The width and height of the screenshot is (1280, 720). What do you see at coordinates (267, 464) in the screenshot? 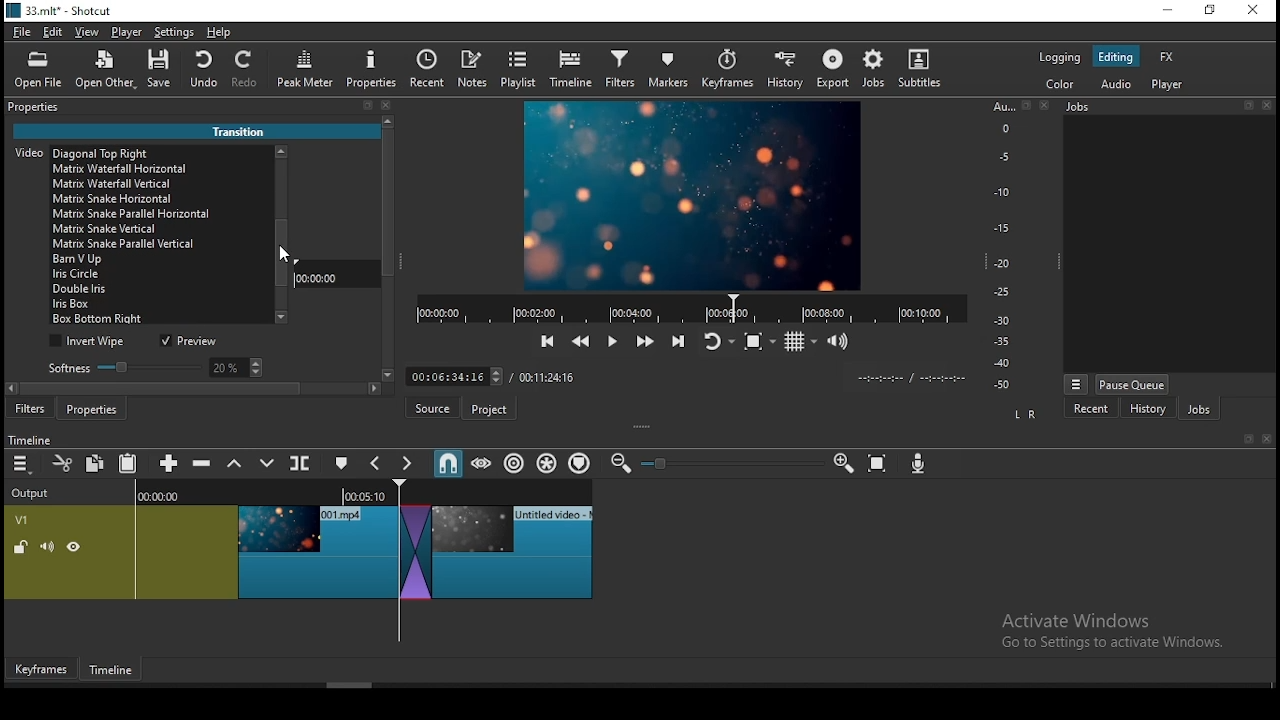
I see `overwrite` at bounding box center [267, 464].